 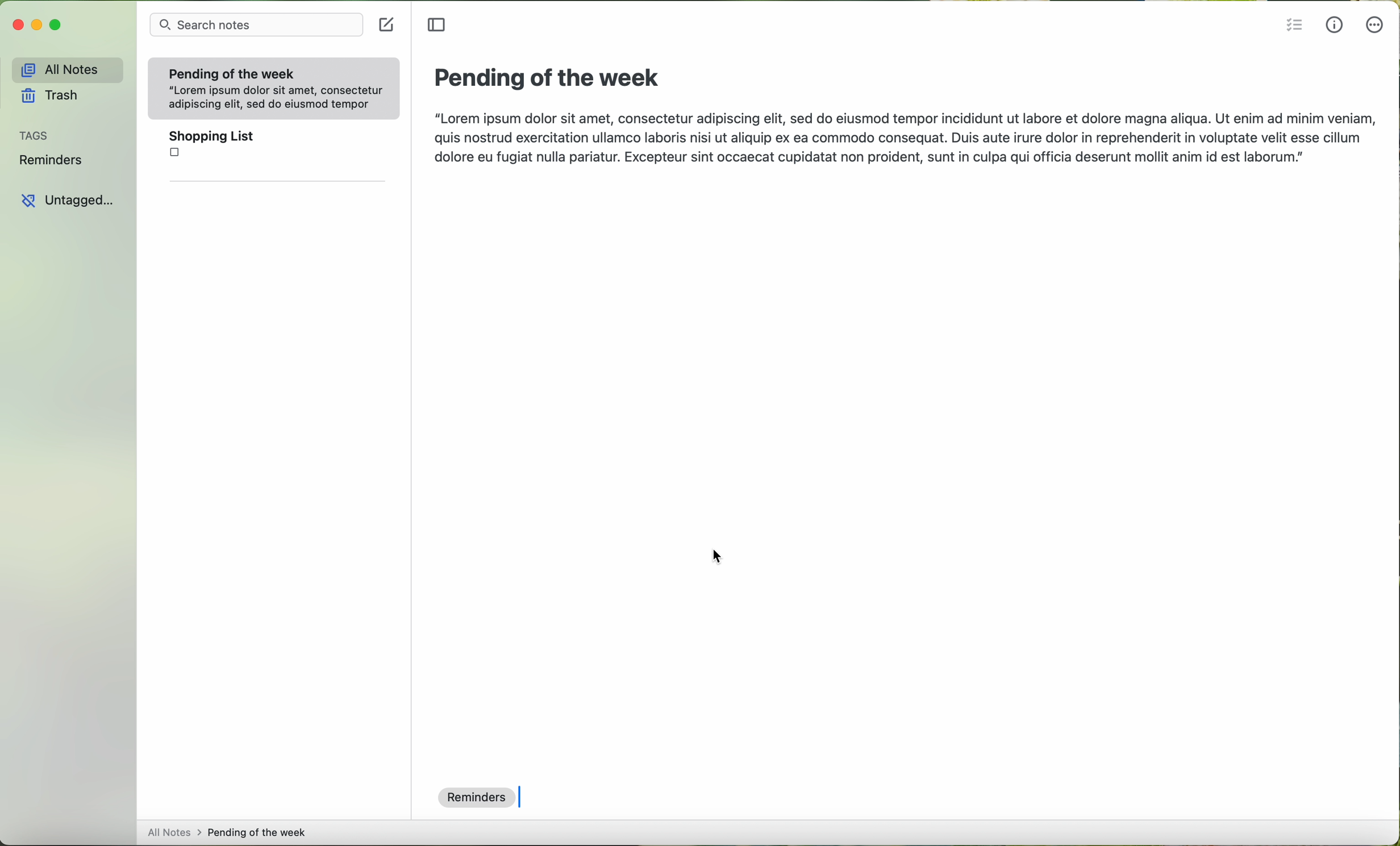 I want to click on reminders, so click(x=51, y=160).